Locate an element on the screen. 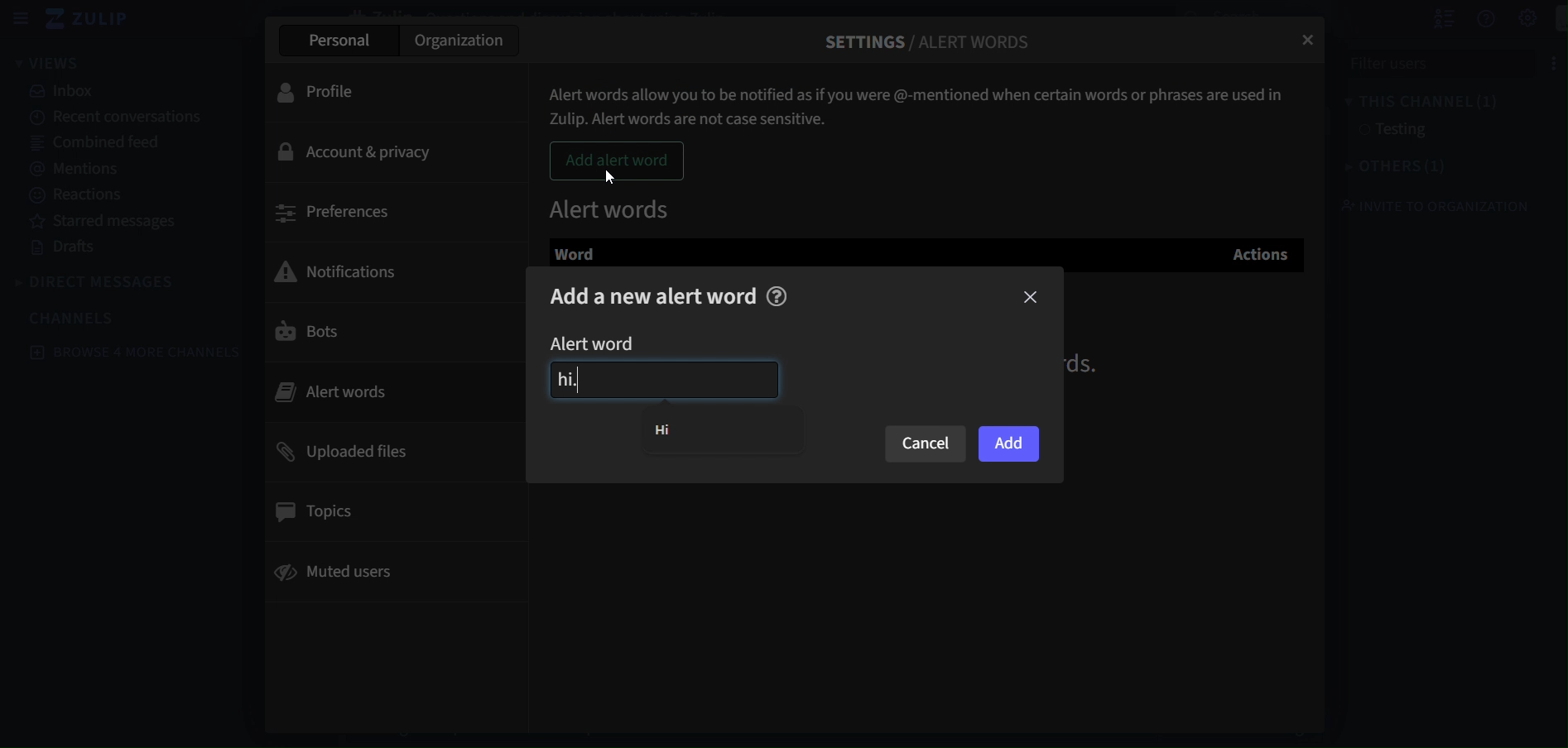  add alert word is located at coordinates (618, 161).